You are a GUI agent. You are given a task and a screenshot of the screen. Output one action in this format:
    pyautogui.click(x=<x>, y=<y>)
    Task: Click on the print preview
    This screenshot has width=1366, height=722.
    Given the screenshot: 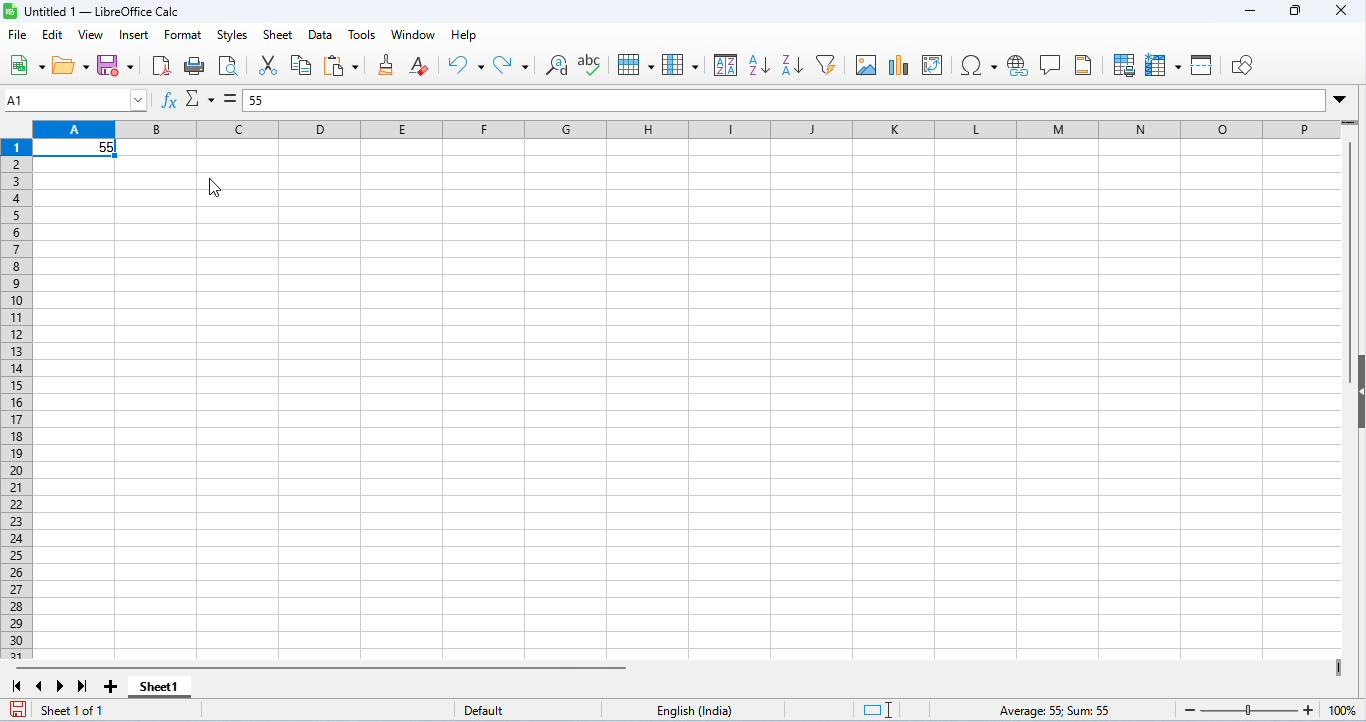 What is the action you would take?
    pyautogui.click(x=230, y=67)
    